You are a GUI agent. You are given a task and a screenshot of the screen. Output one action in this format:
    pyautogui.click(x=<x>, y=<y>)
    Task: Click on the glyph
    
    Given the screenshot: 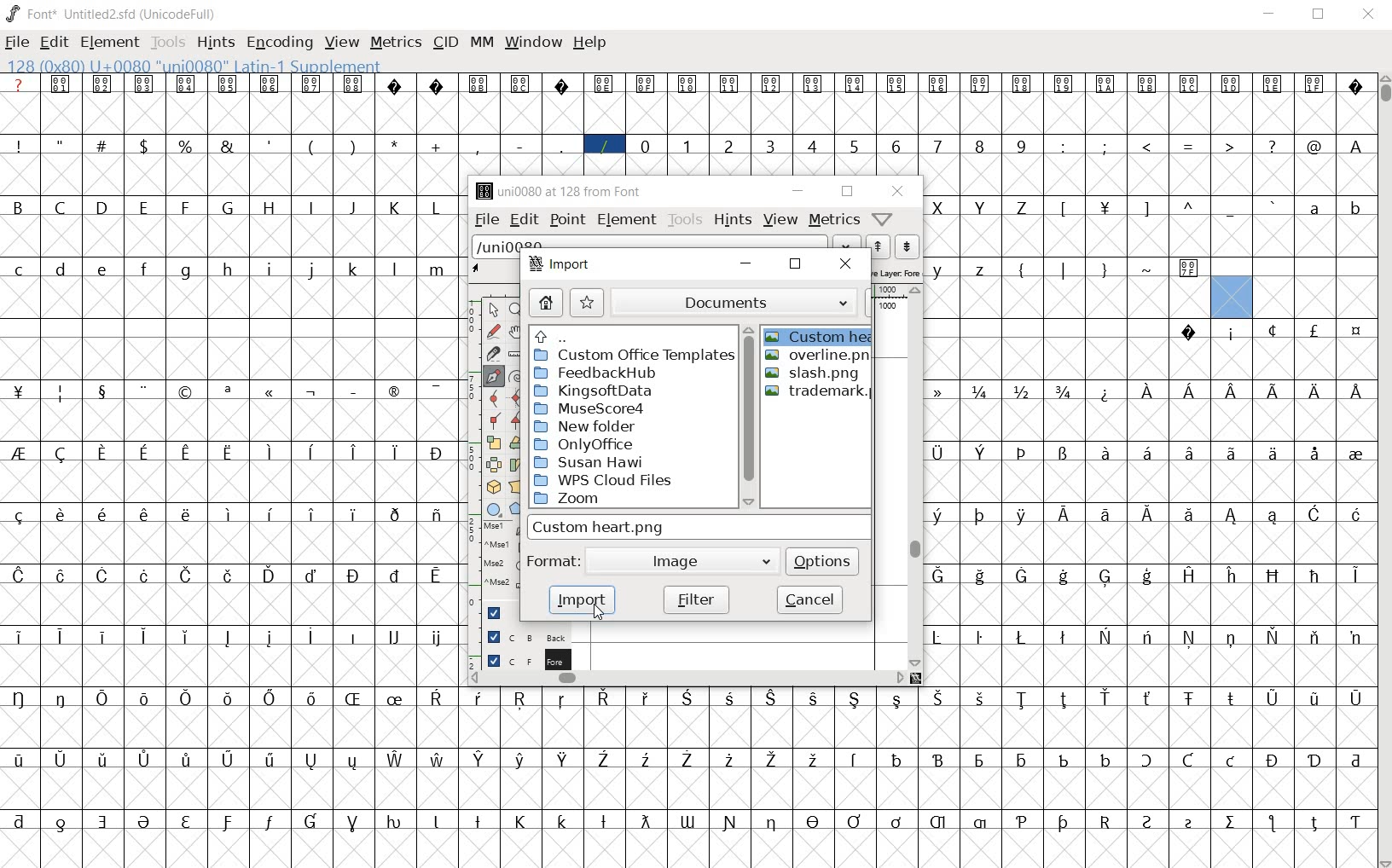 What is the action you would take?
    pyautogui.click(x=645, y=84)
    